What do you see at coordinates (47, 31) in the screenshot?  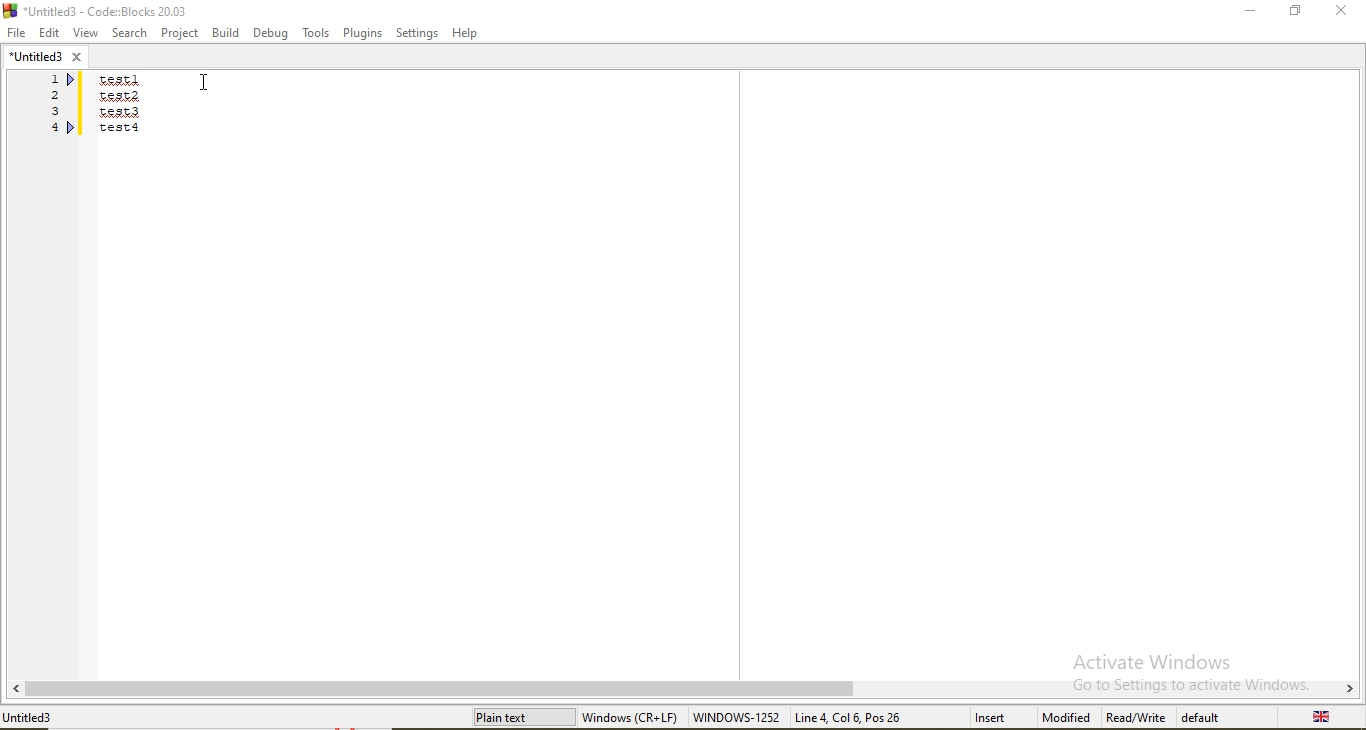 I see `Edit ` at bounding box center [47, 31].